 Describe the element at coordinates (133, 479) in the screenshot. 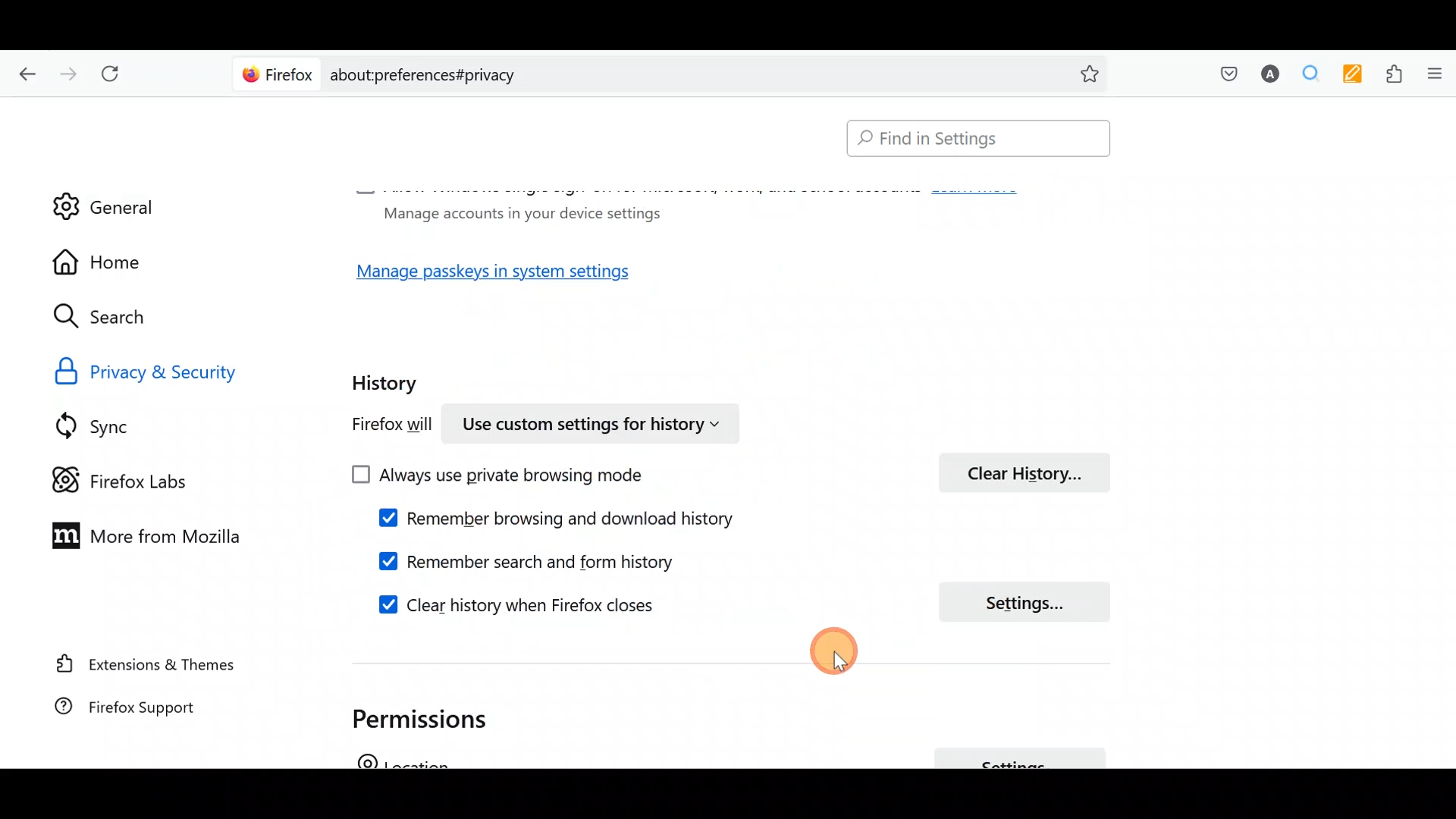

I see `Firefox labs` at that location.